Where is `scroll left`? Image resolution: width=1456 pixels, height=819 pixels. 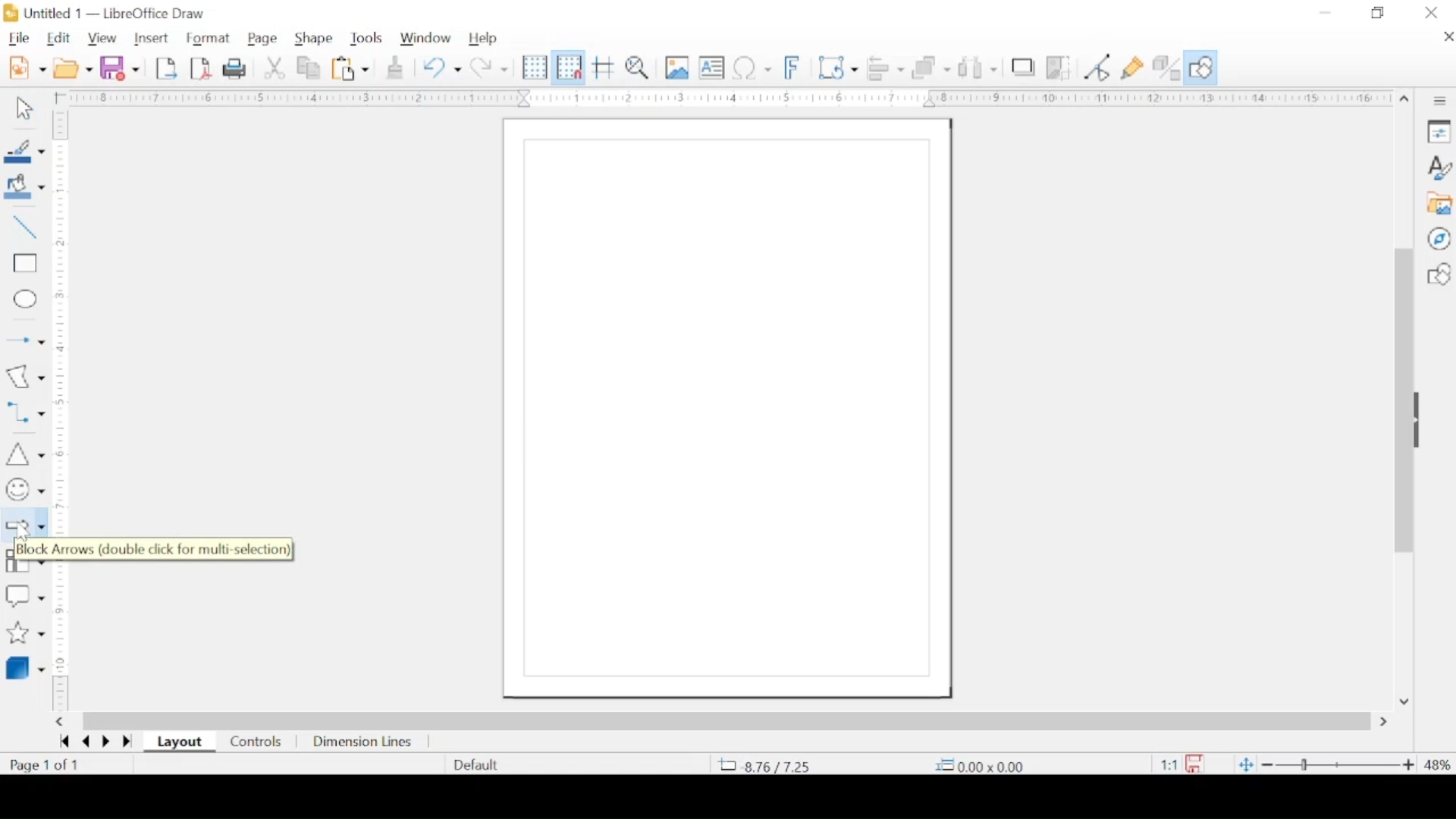 scroll left is located at coordinates (58, 722).